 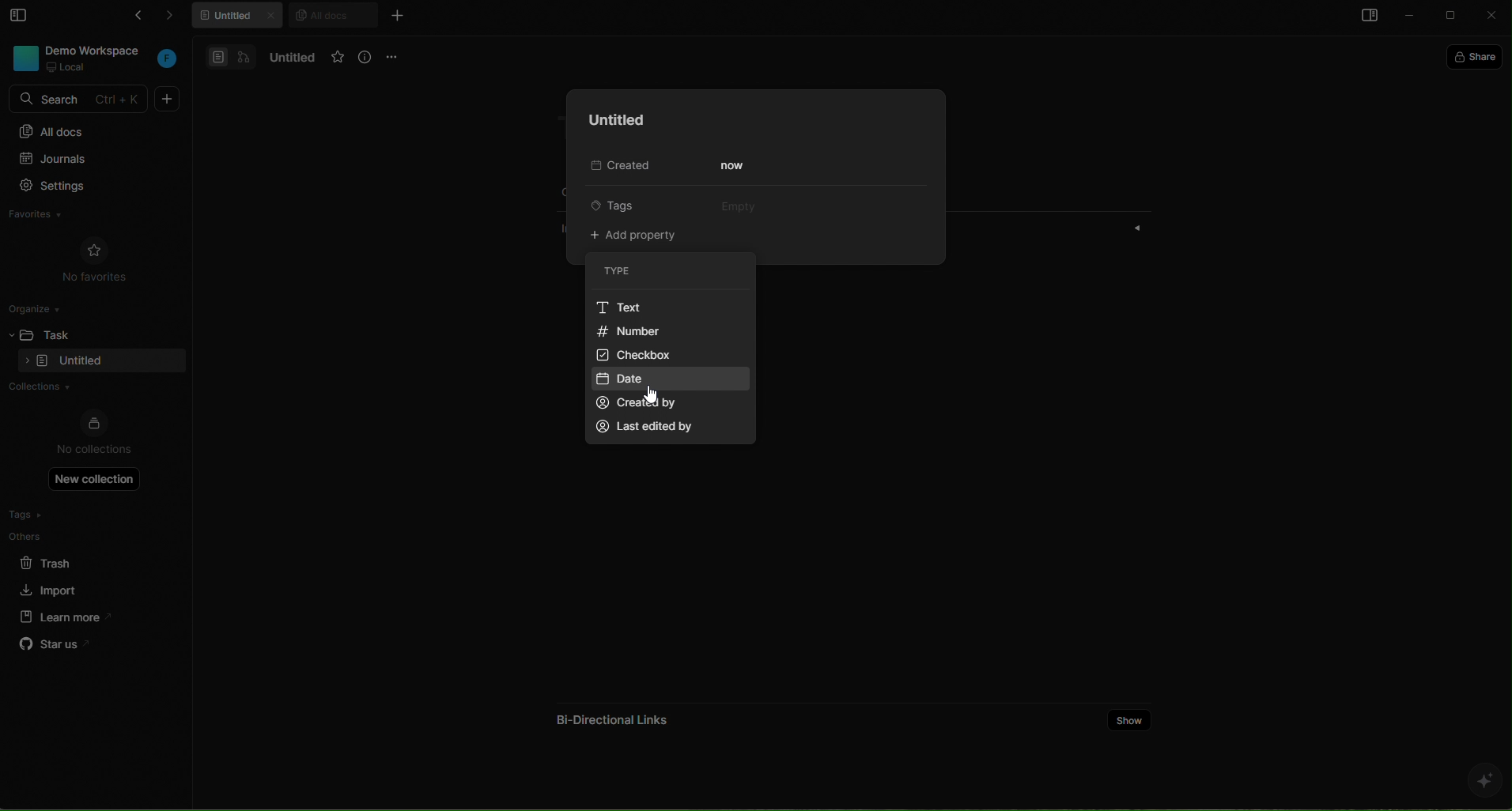 I want to click on cursor, so click(x=651, y=394).